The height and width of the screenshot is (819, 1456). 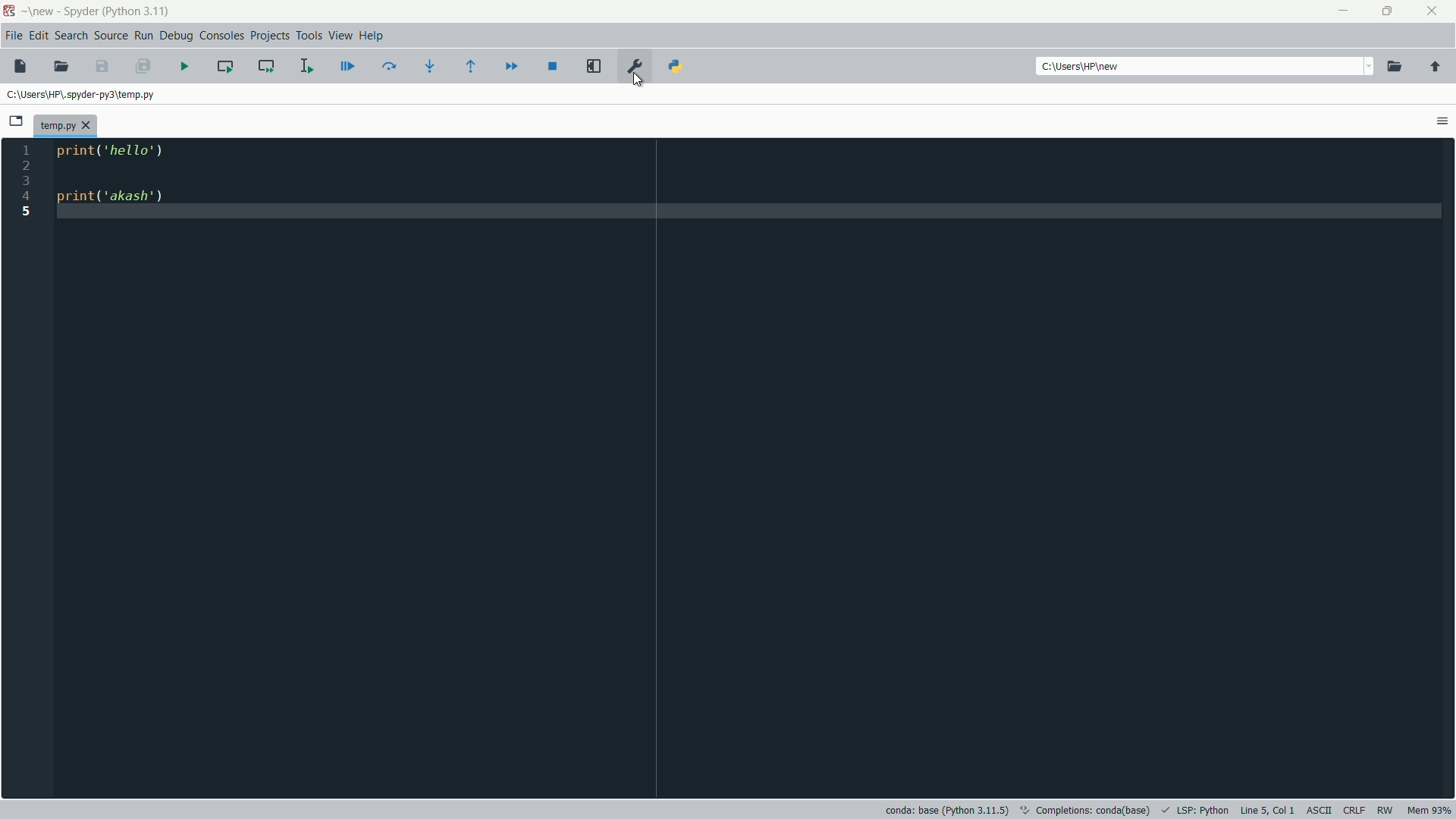 I want to click on save file, so click(x=103, y=67).